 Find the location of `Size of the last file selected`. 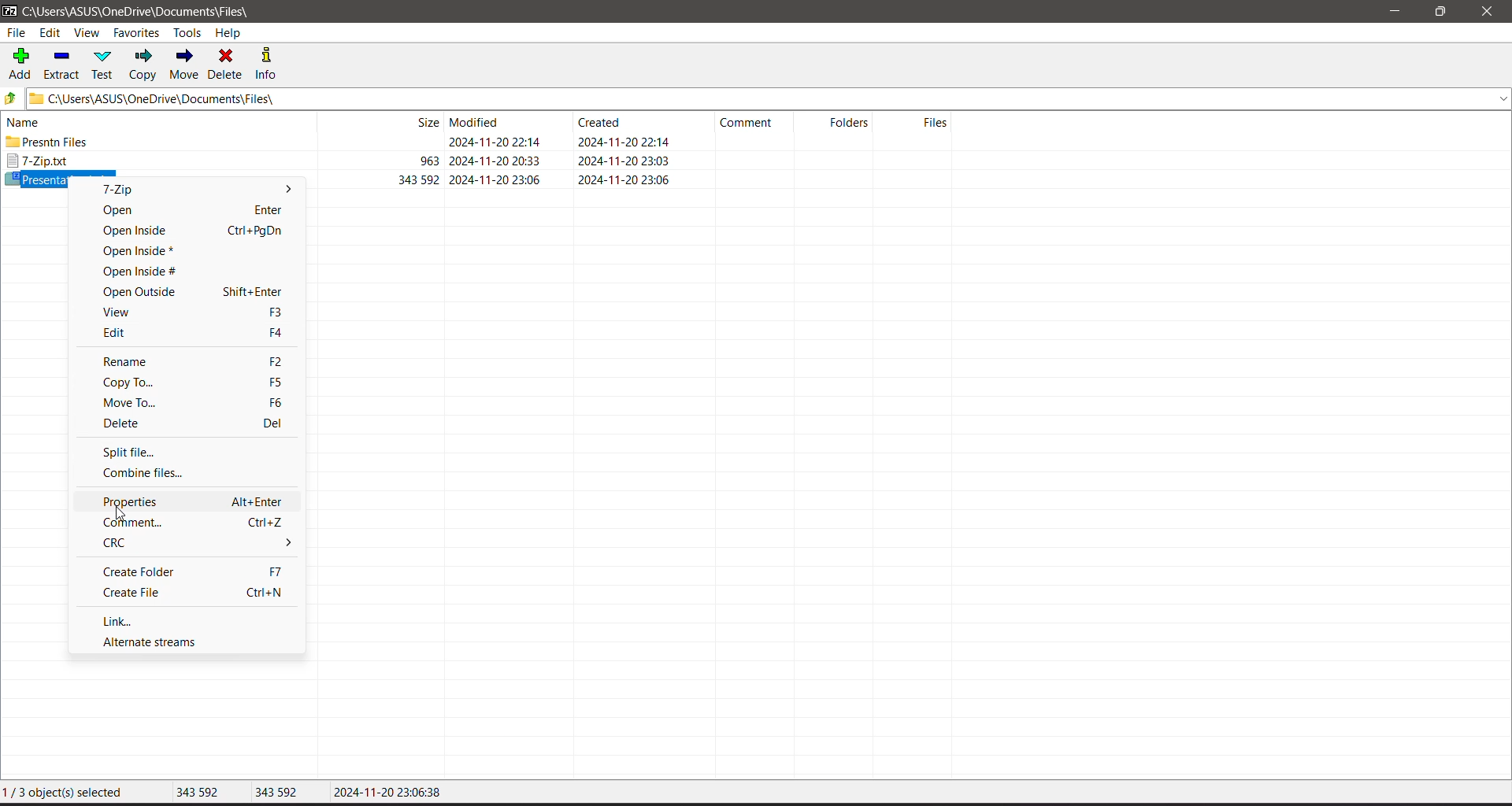

Size of the last file selected is located at coordinates (280, 793).